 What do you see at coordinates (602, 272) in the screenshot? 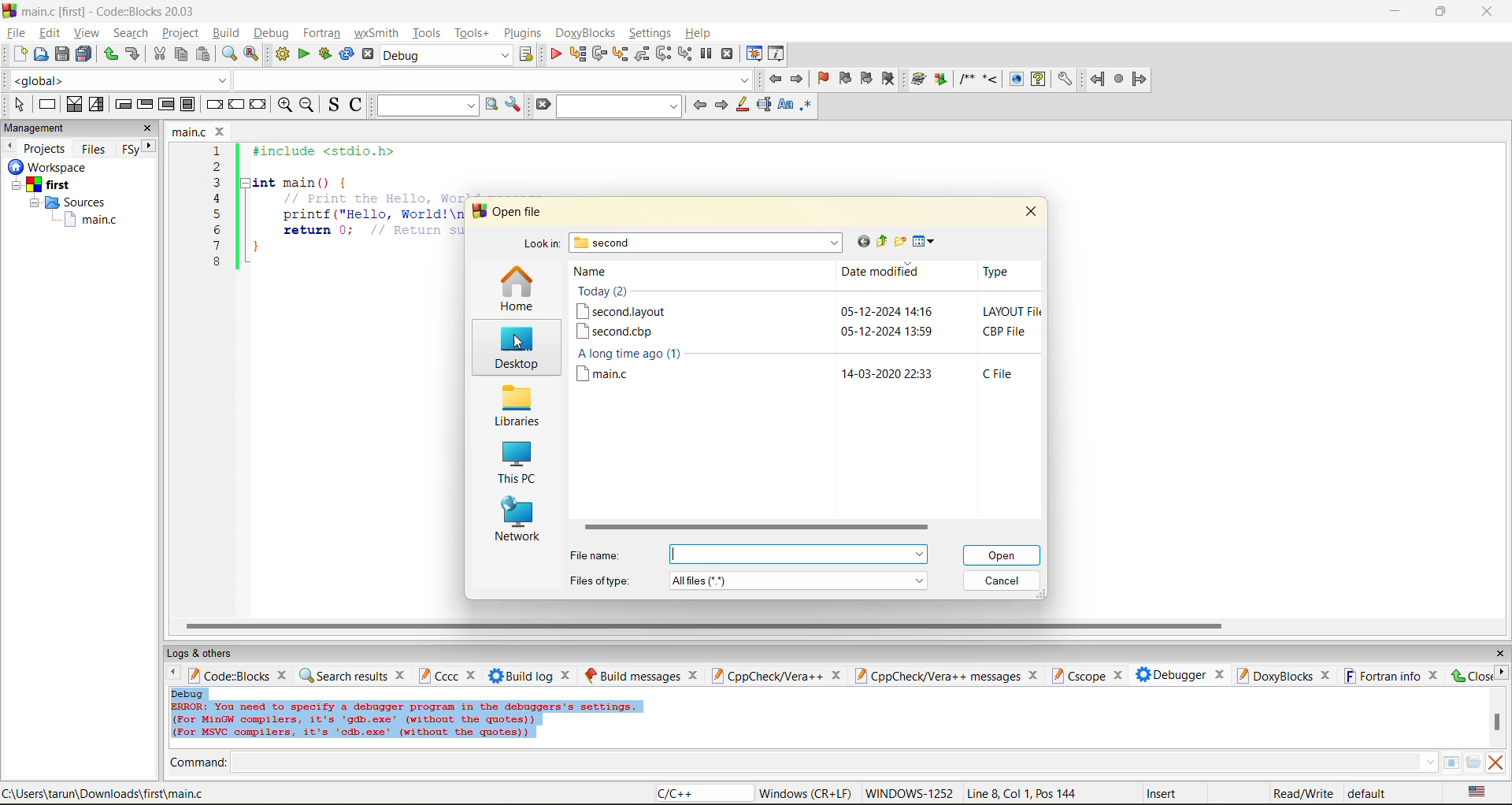
I see `name` at bounding box center [602, 272].